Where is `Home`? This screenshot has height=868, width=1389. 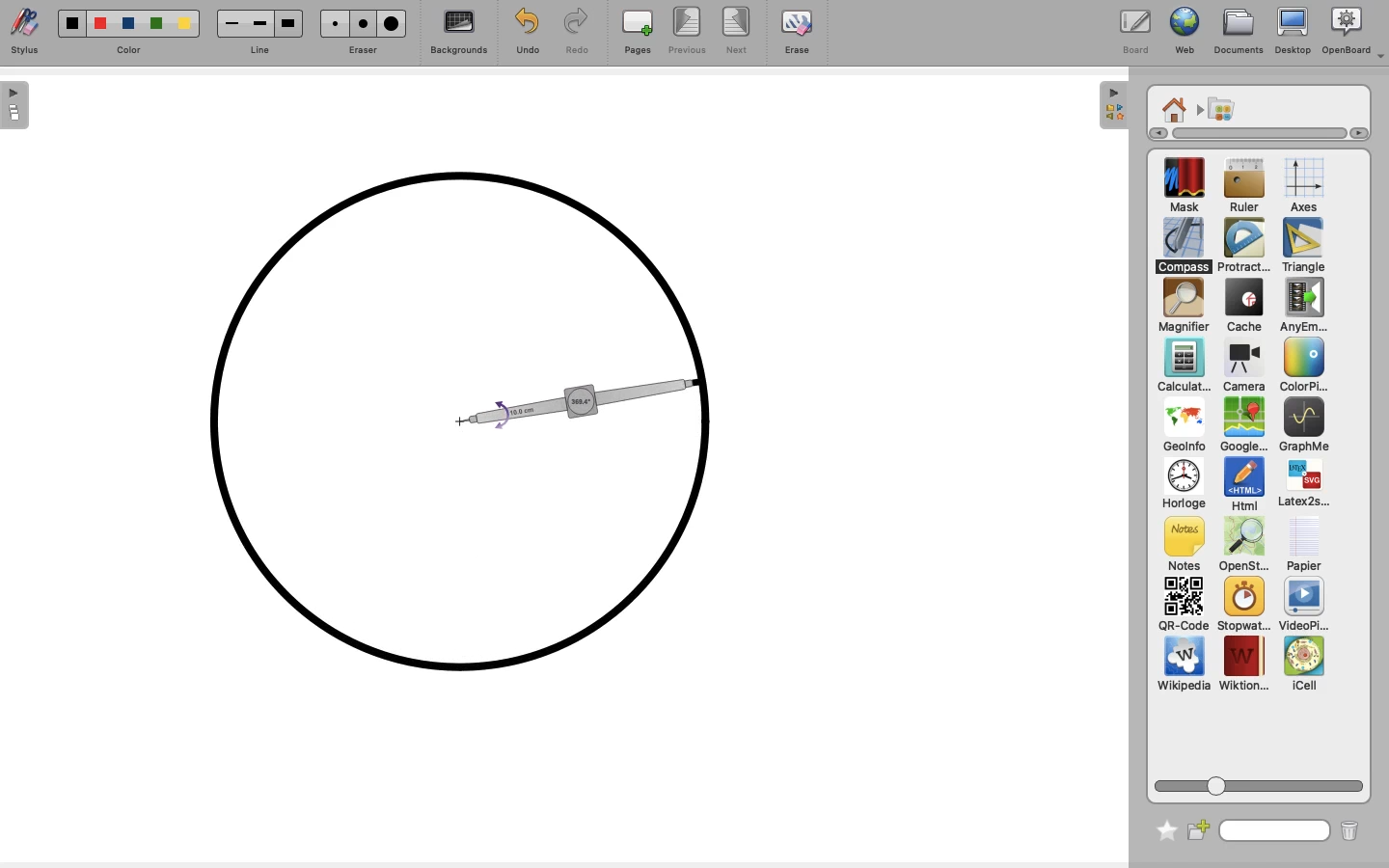
Home is located at coordinates (1174, 108).